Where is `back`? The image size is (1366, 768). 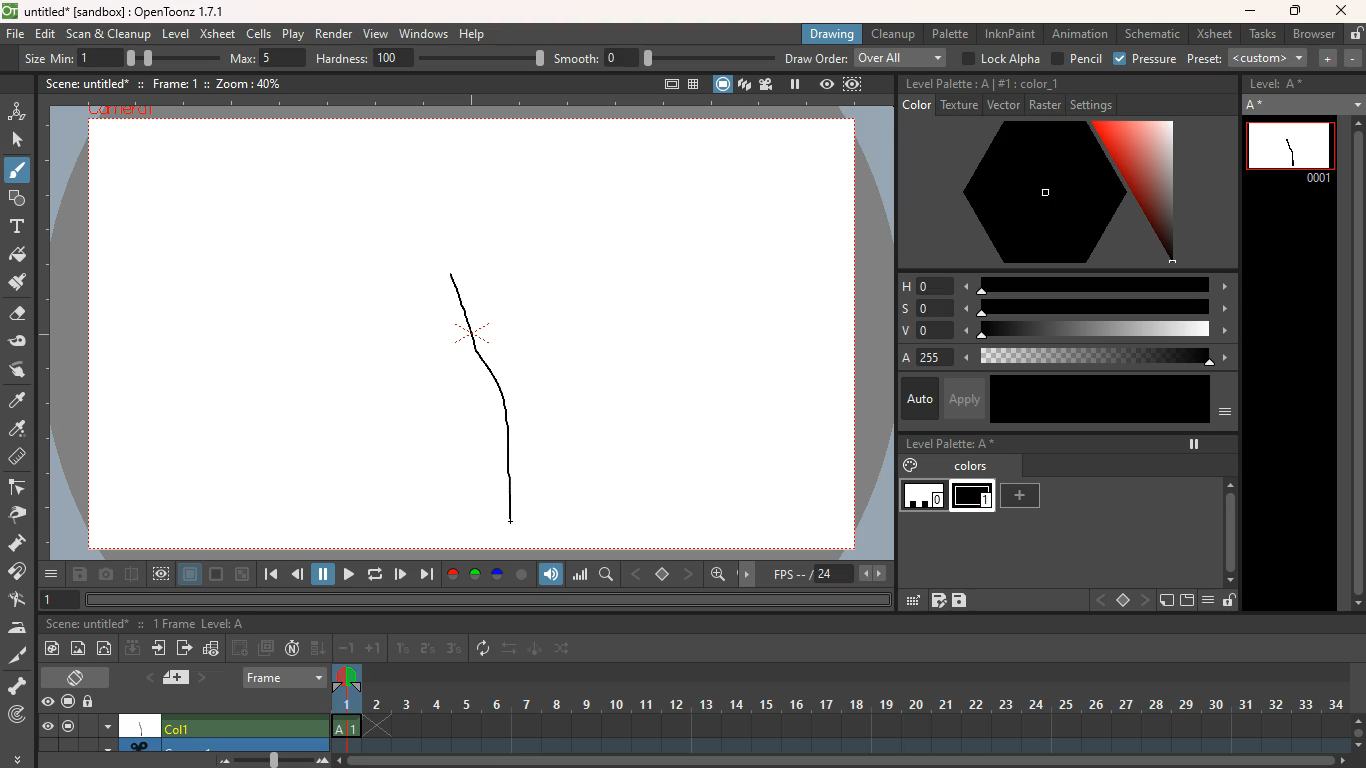 back is located at coordinates (299, 576).